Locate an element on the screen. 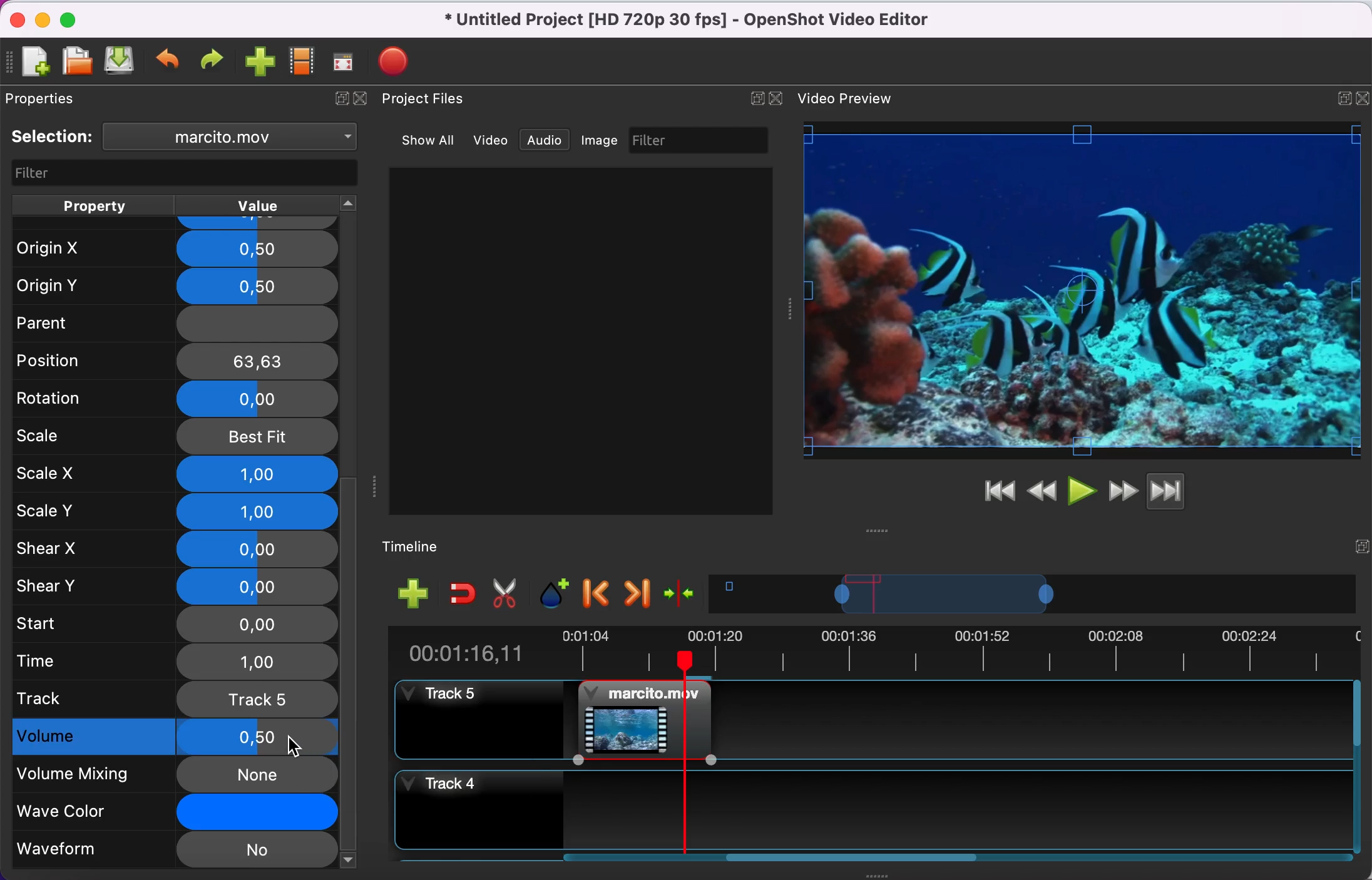  next marker is located at coordinates (637, 594).